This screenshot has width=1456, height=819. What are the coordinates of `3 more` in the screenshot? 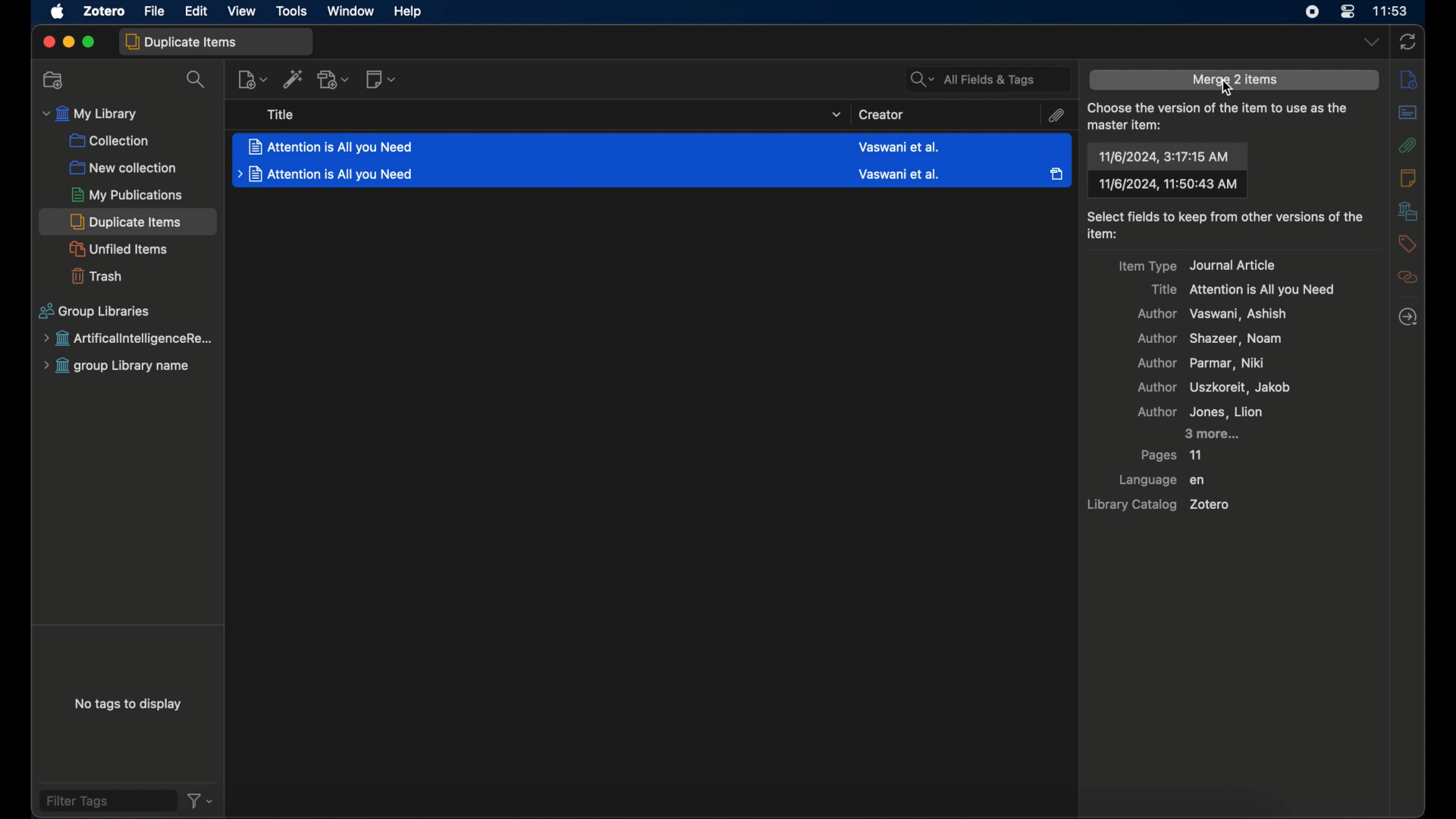 It's located at (1211, 435).